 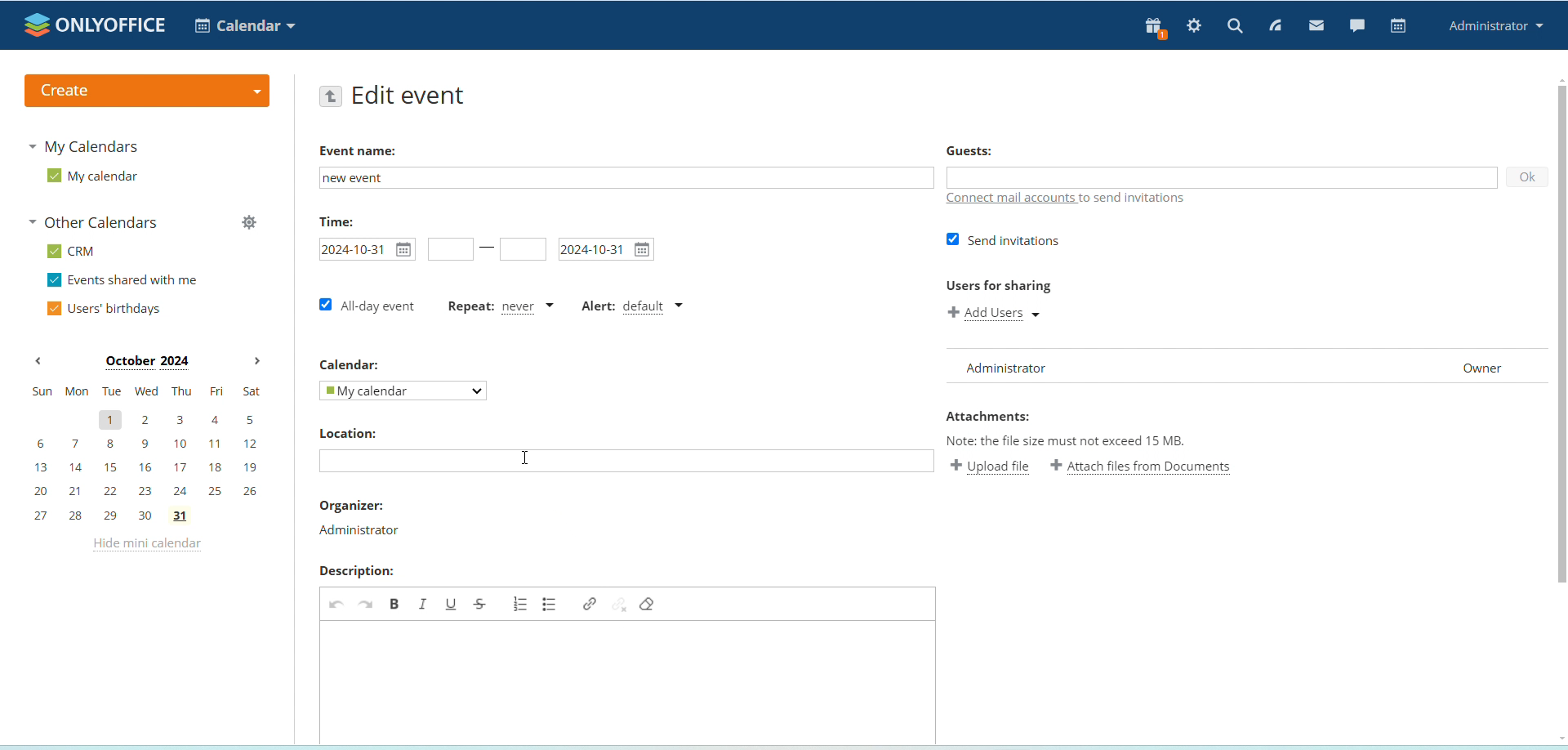 I want to click on alert type, so click(x=635, y=306).